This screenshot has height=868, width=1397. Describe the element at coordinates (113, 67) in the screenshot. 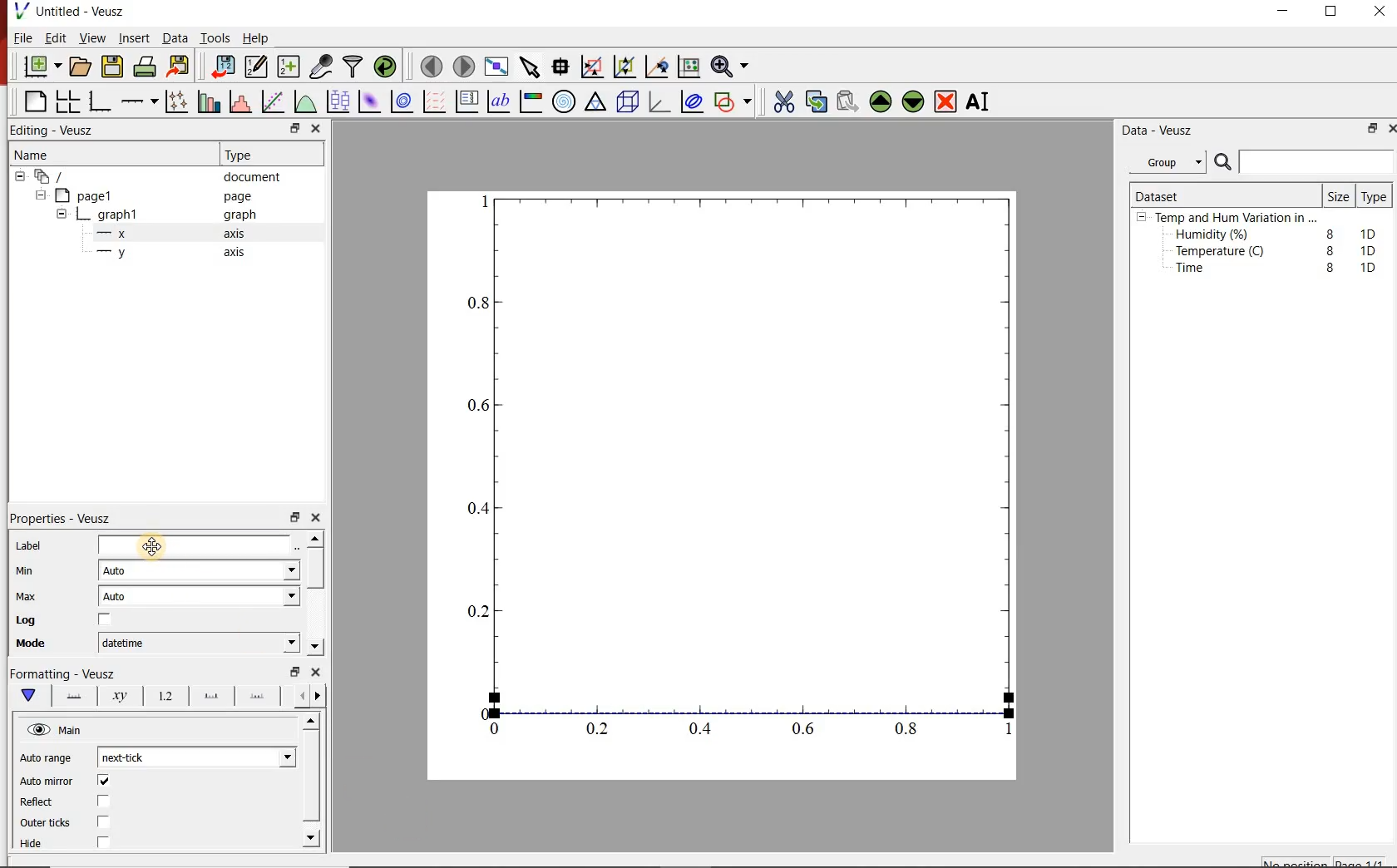

I see `save the document` at that location.